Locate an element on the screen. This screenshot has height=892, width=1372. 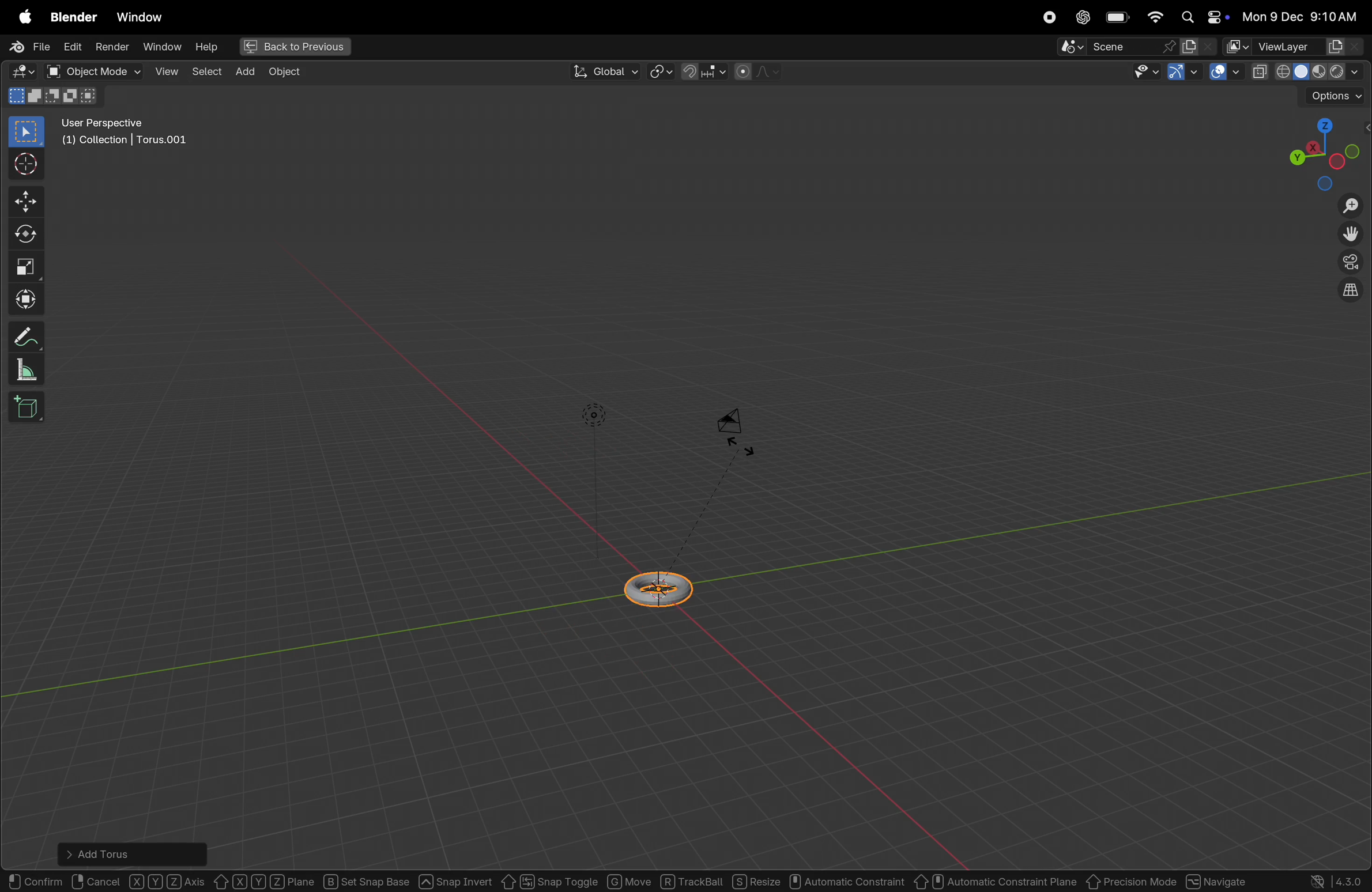
add cube is located at coordinates (29, 409).